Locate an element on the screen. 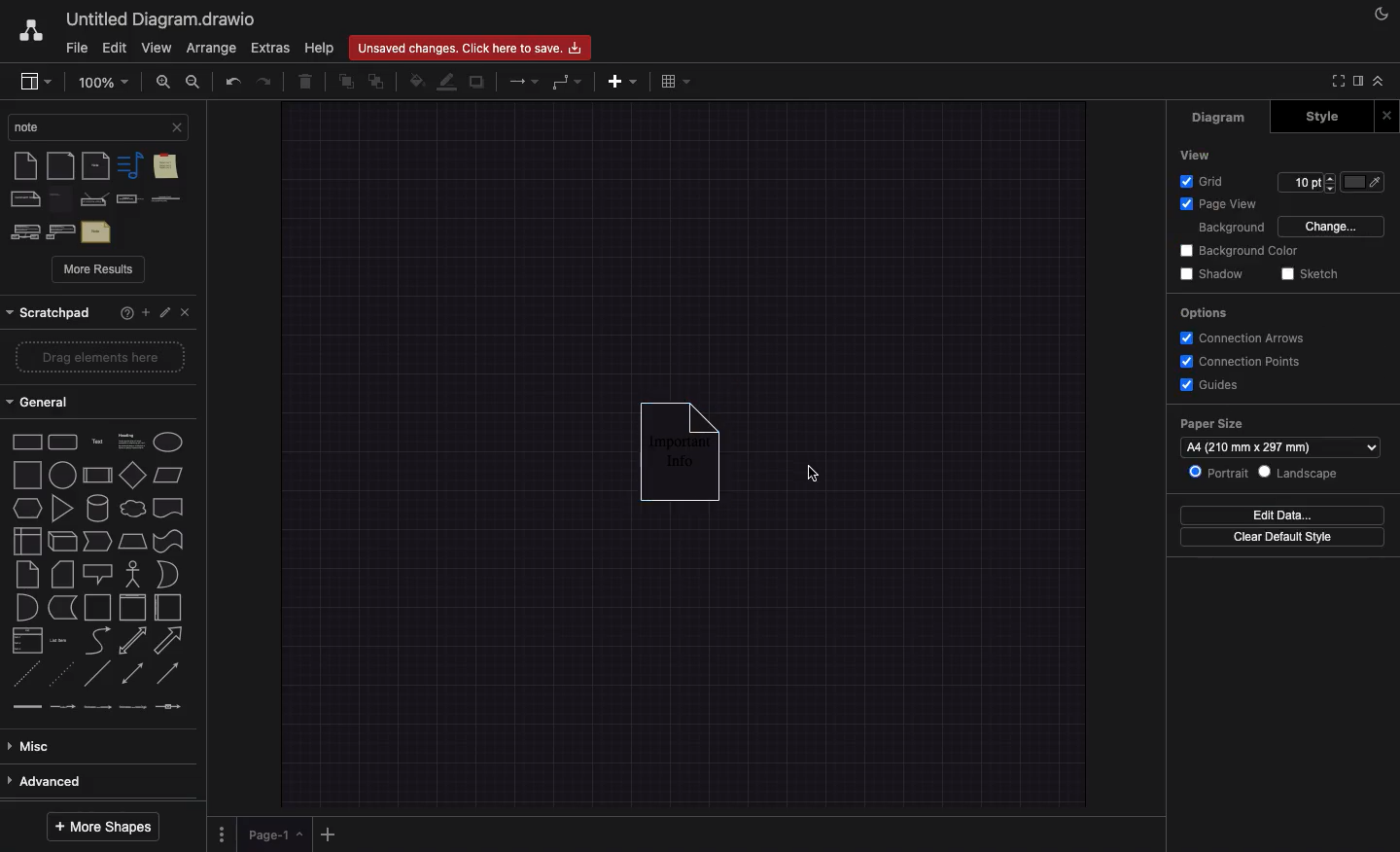 The image size is (1400, 852). dashed is located at coordinates (25, 680).